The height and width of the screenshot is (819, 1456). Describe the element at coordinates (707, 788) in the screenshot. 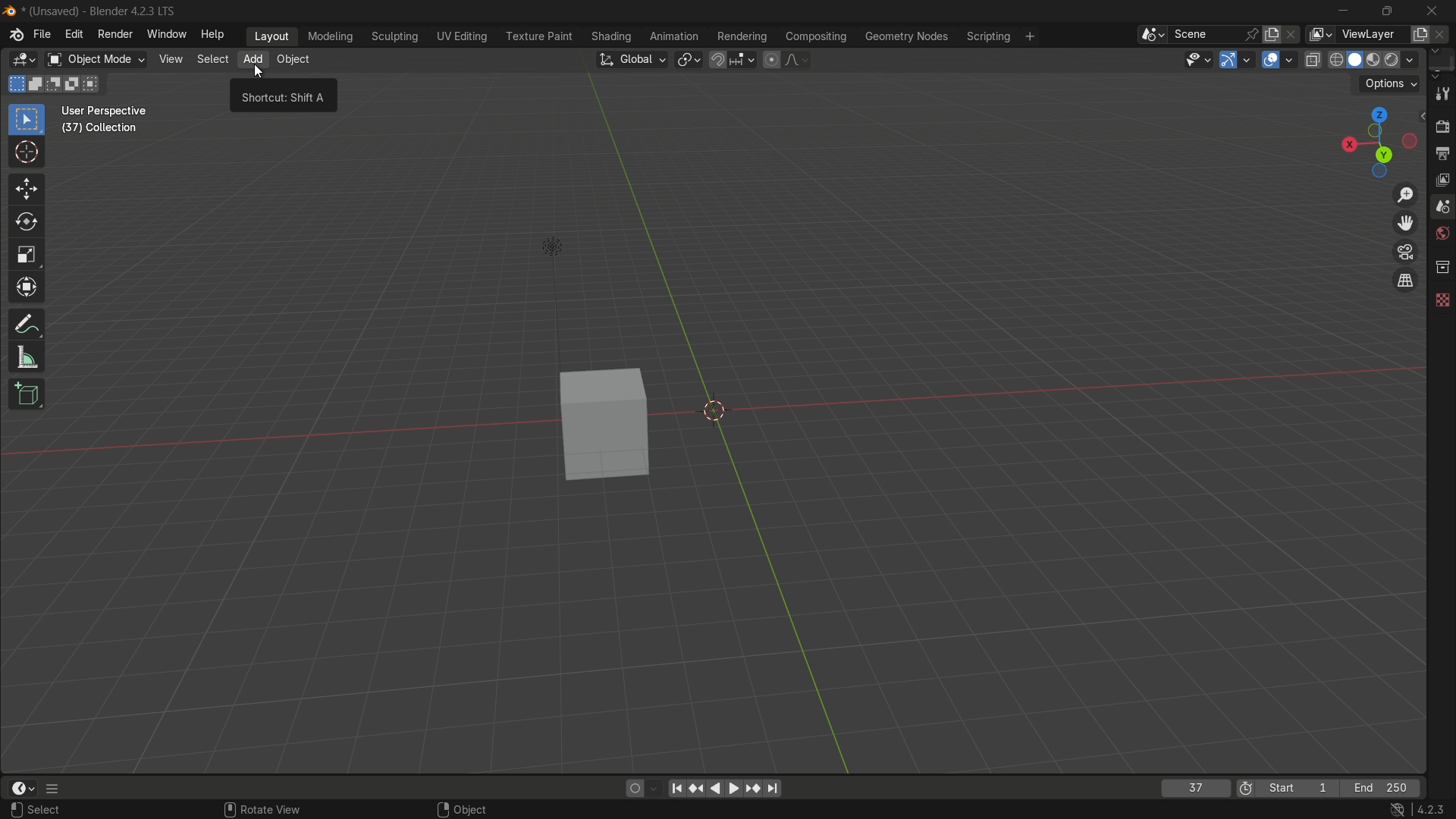

I see `play animation` at that location.